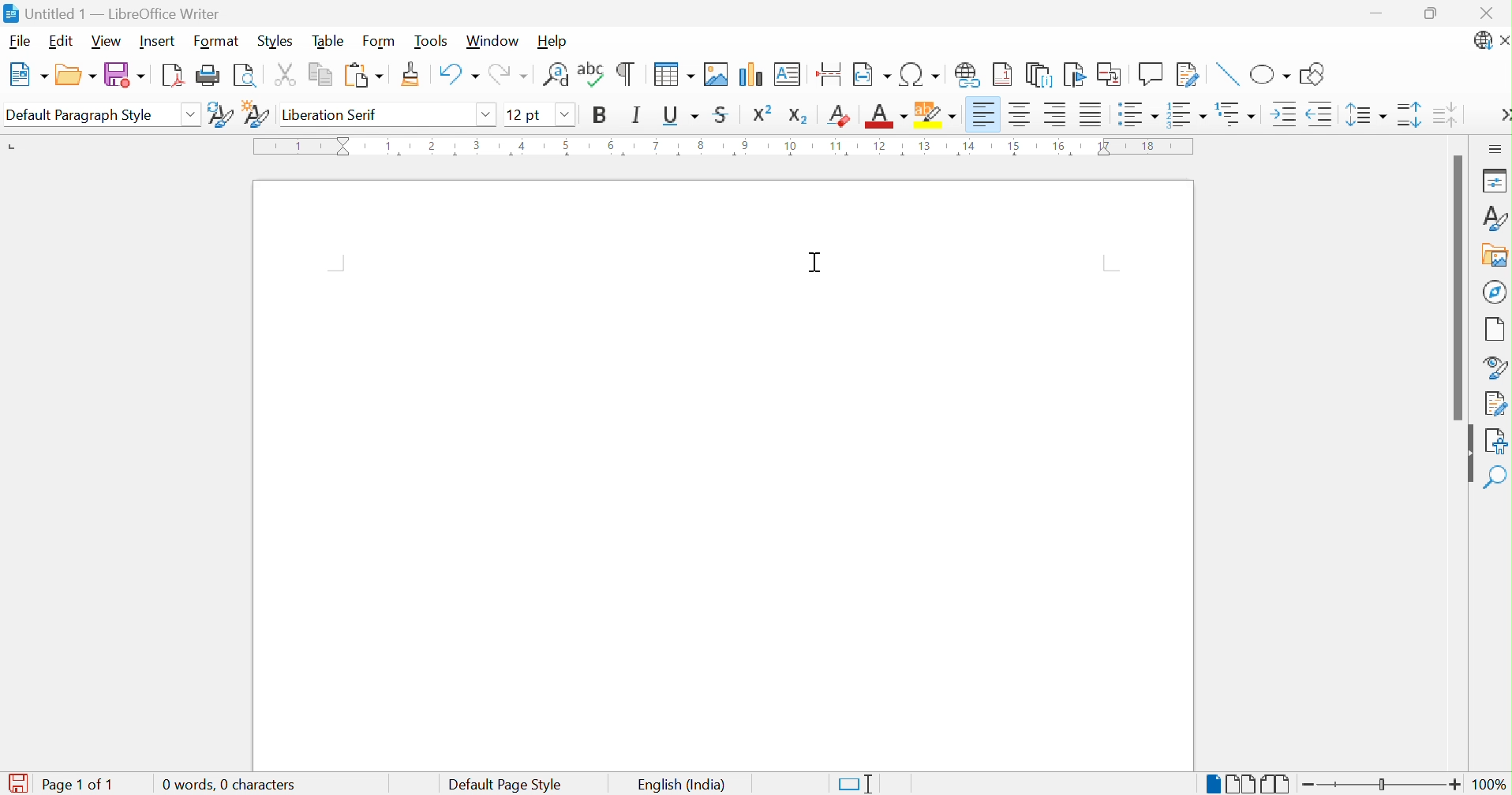 The height and width of the screenshot is (795, 1512). What do you see at coordinates (1190, 117) in the screenshot?
I see `Toggle ordered list` at bounding box center [1190, 117].